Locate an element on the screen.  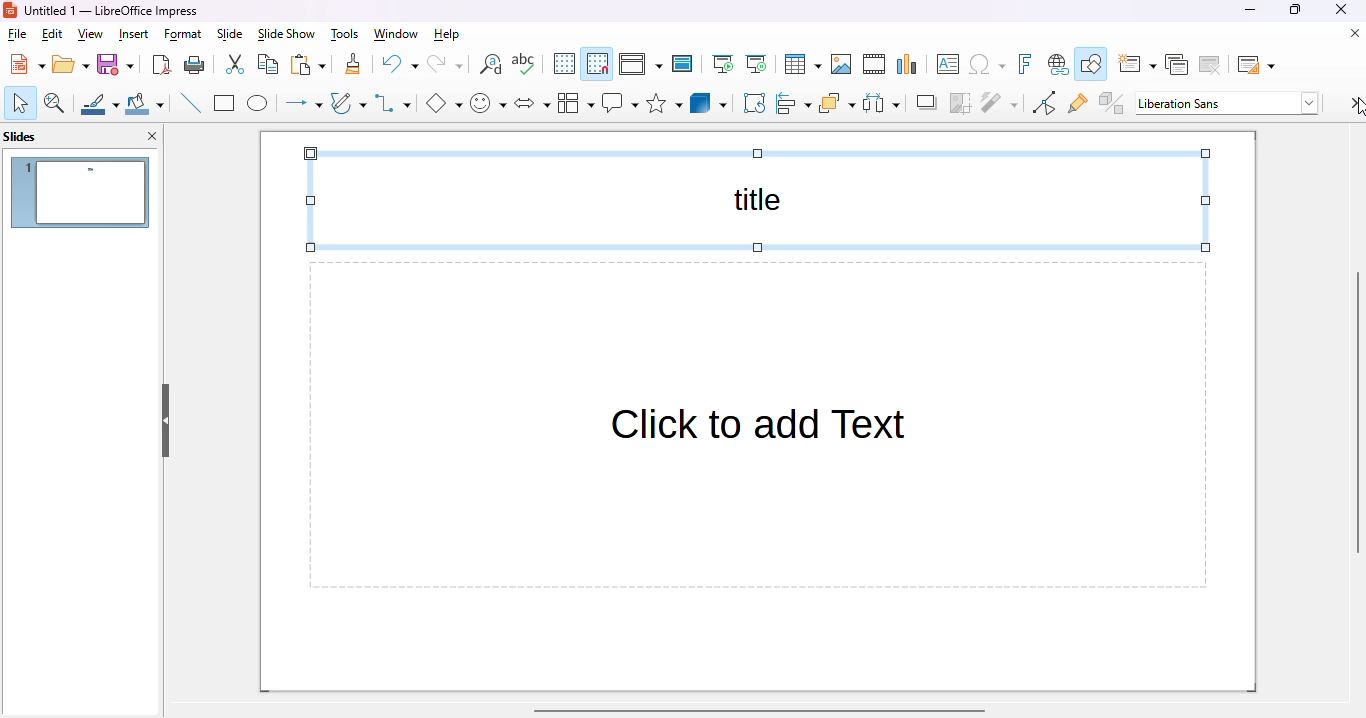
tools is located at coordinates (345, 35).